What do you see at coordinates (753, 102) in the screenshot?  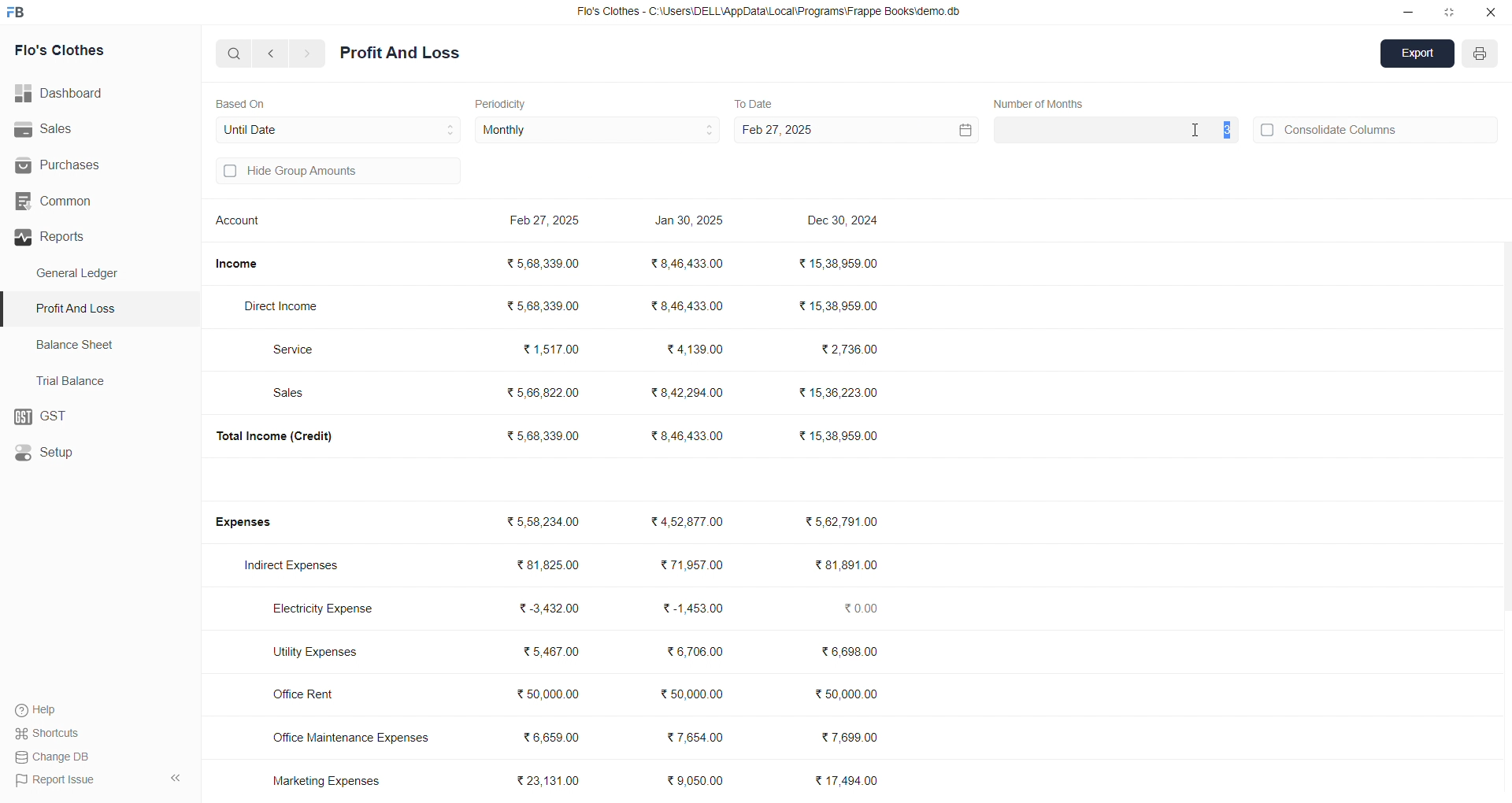 I see `To Date` at bounding box center [753, 102].